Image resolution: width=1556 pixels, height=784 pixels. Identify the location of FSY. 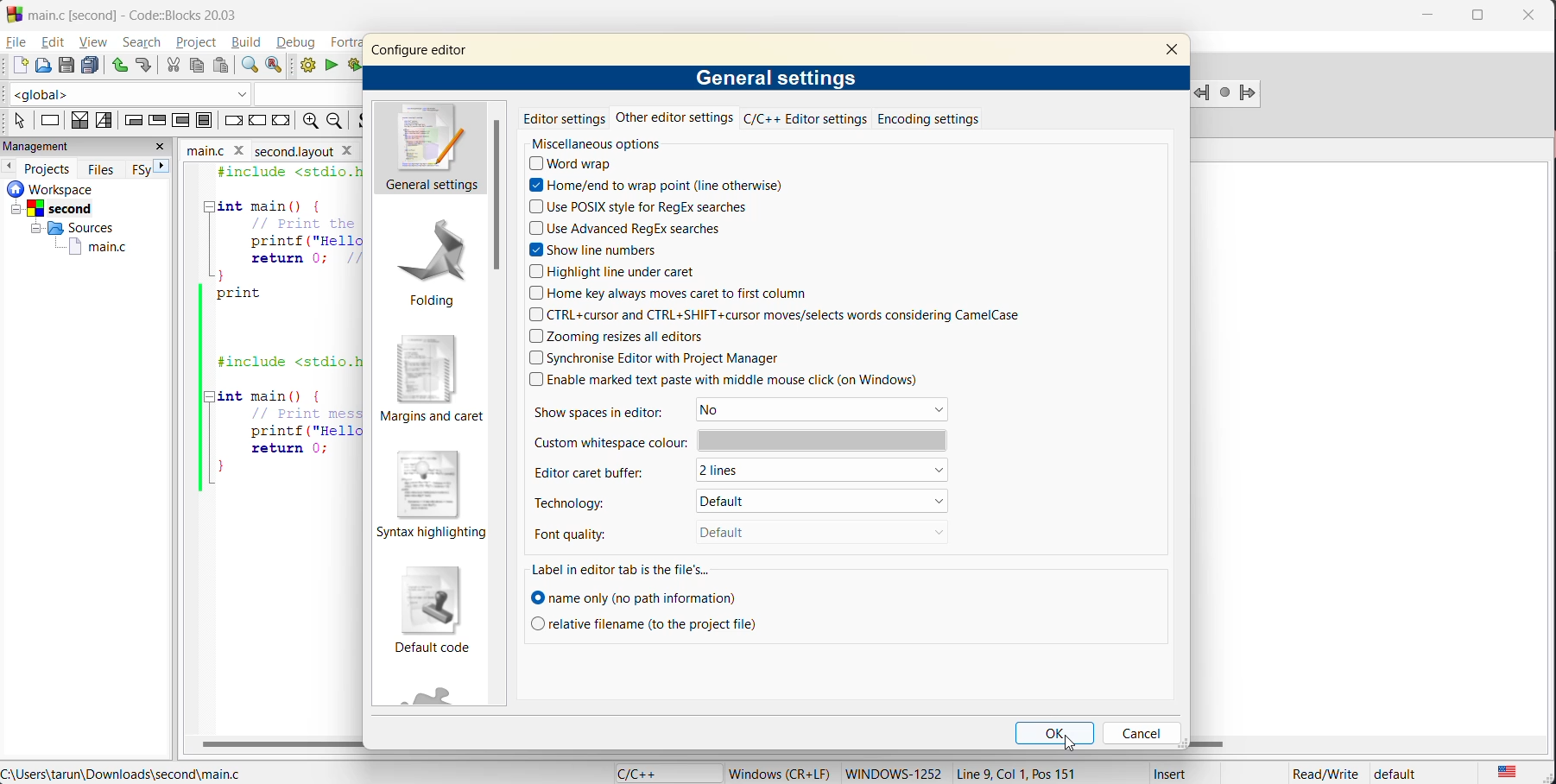
(140, 169).